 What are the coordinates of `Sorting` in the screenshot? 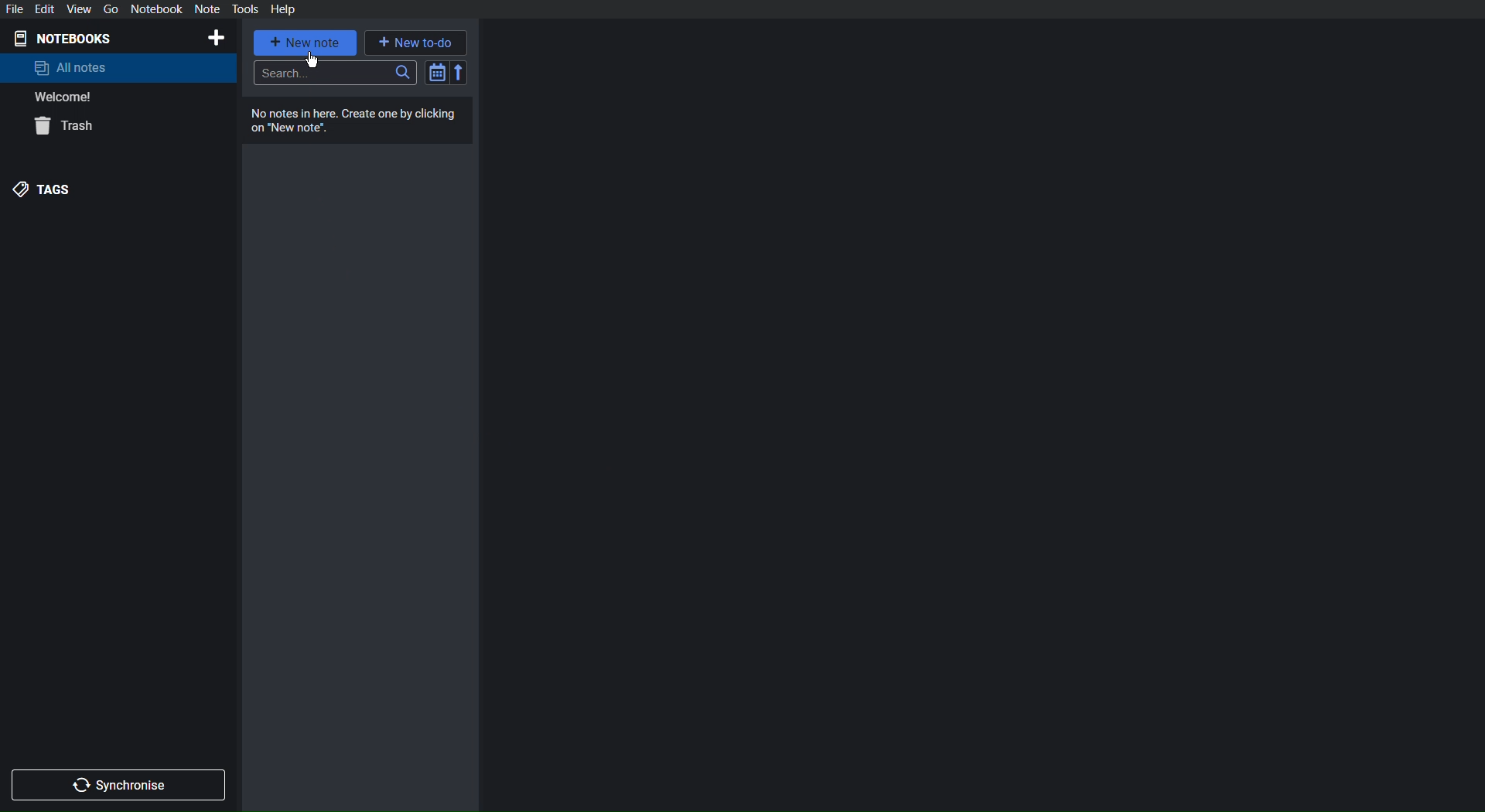 It's located at (447, 72).